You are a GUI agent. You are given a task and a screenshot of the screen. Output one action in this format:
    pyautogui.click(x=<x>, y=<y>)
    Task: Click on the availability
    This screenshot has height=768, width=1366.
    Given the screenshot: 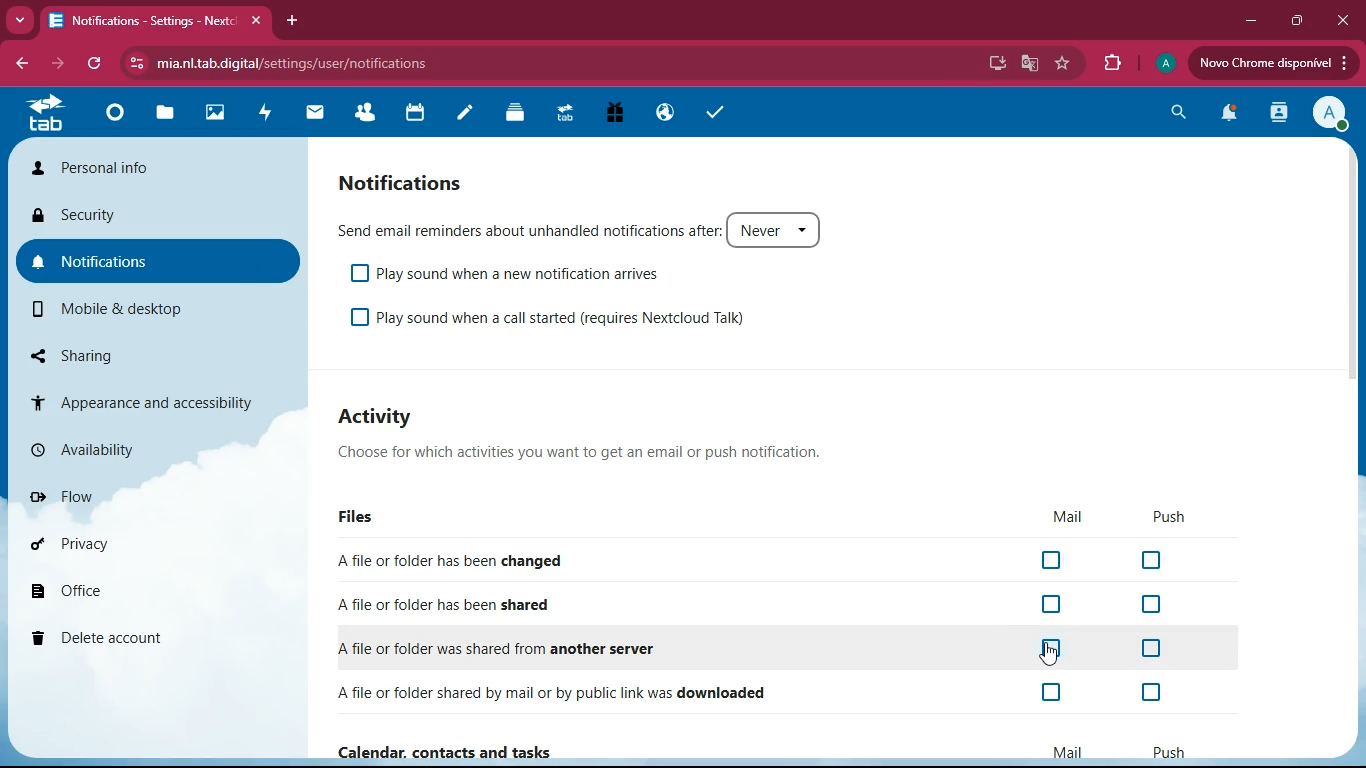 What is the action you would take?
    pyautogui.click(x=121, y=454)
    